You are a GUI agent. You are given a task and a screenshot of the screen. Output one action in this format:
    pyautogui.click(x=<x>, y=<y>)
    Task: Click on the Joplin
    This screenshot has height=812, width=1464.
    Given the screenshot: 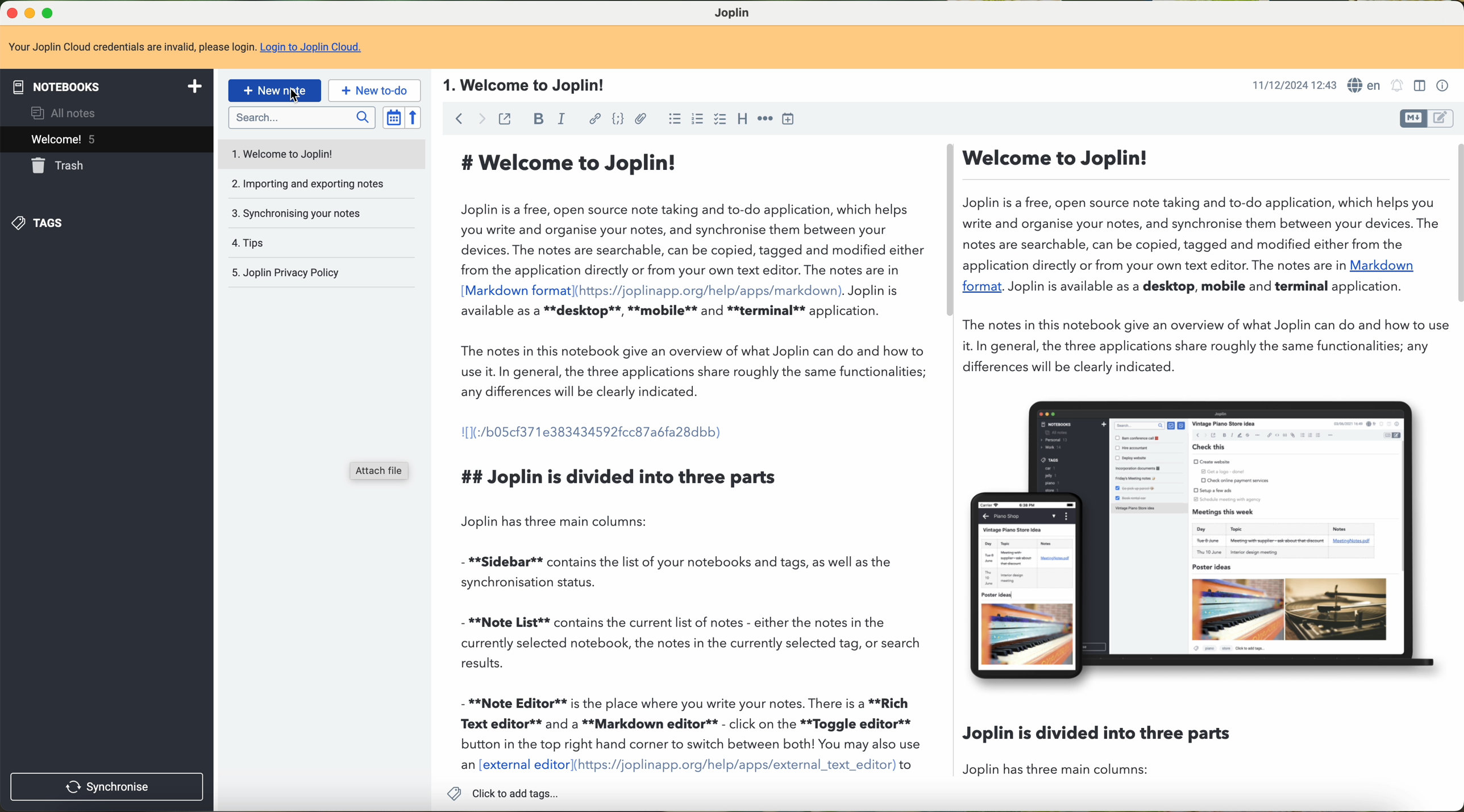 What is the action you would take?
    pyautogui.click(x=738, y=14)
    